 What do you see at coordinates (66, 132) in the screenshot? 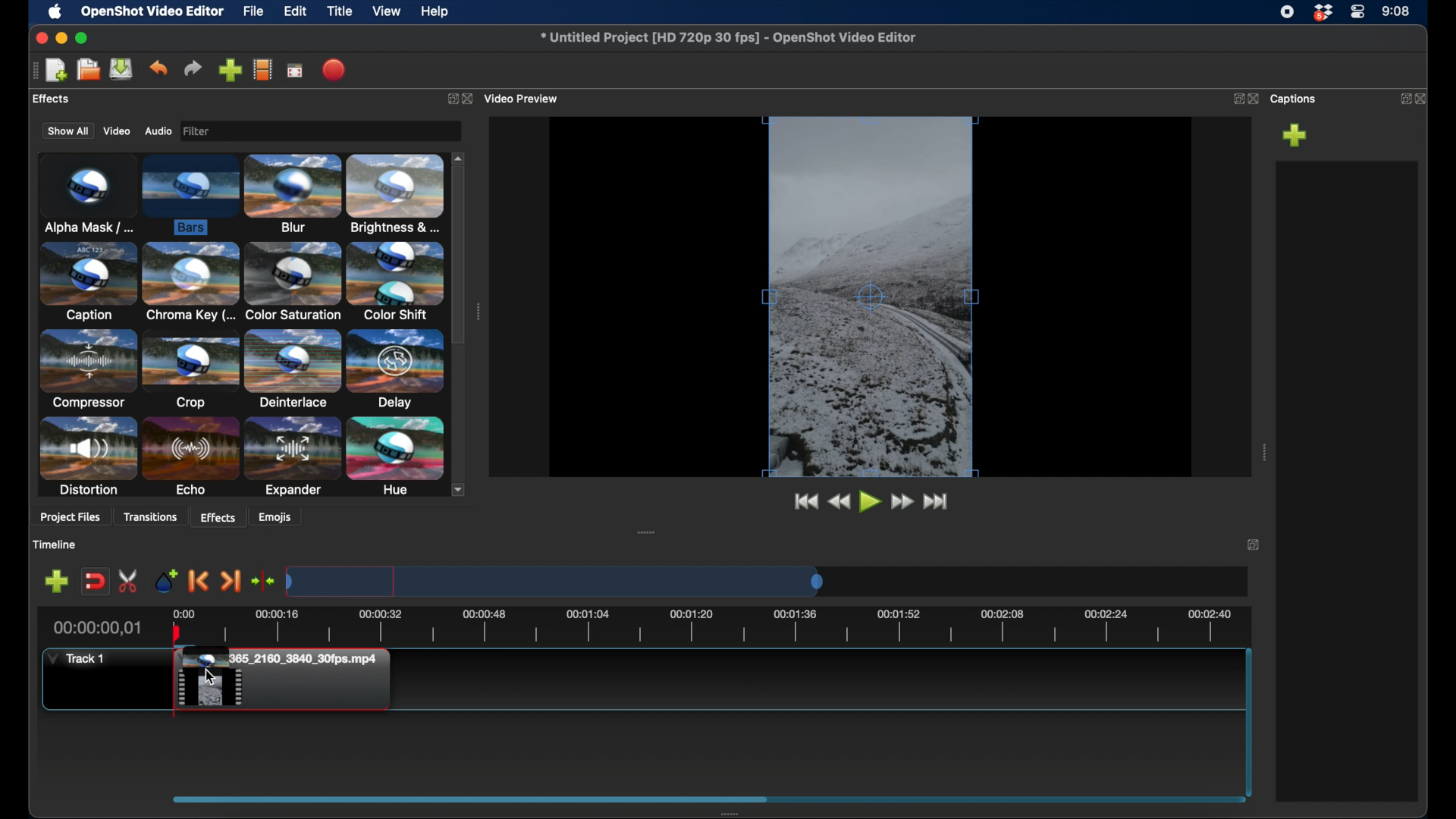
I see `show all` at bounding box center [66, 132].